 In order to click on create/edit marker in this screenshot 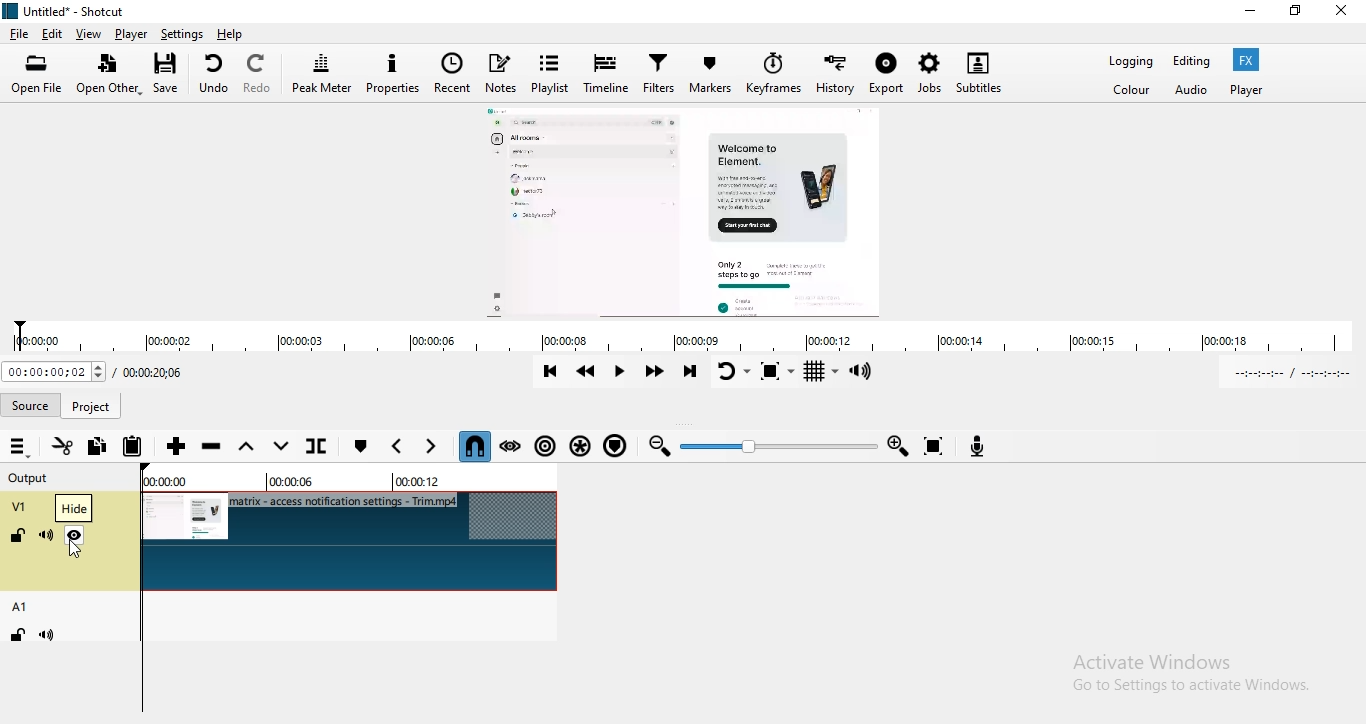, I will do `click(363, 446)`.